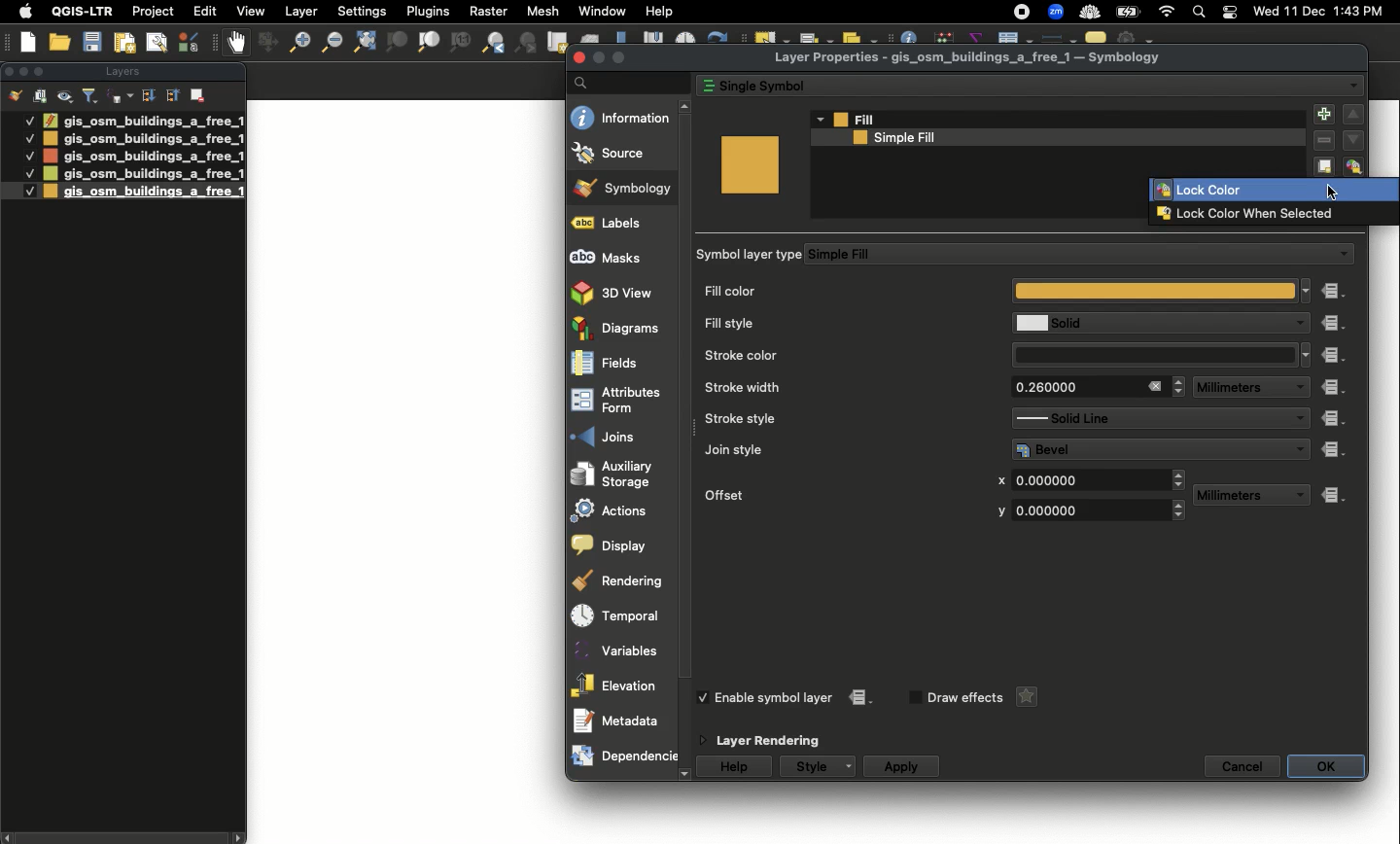 The image size is (1400, 844). What do you see at coordinates (1325, 164) in the screenshot?
I see `Duplicate ` at bounding box center [1325, 164].